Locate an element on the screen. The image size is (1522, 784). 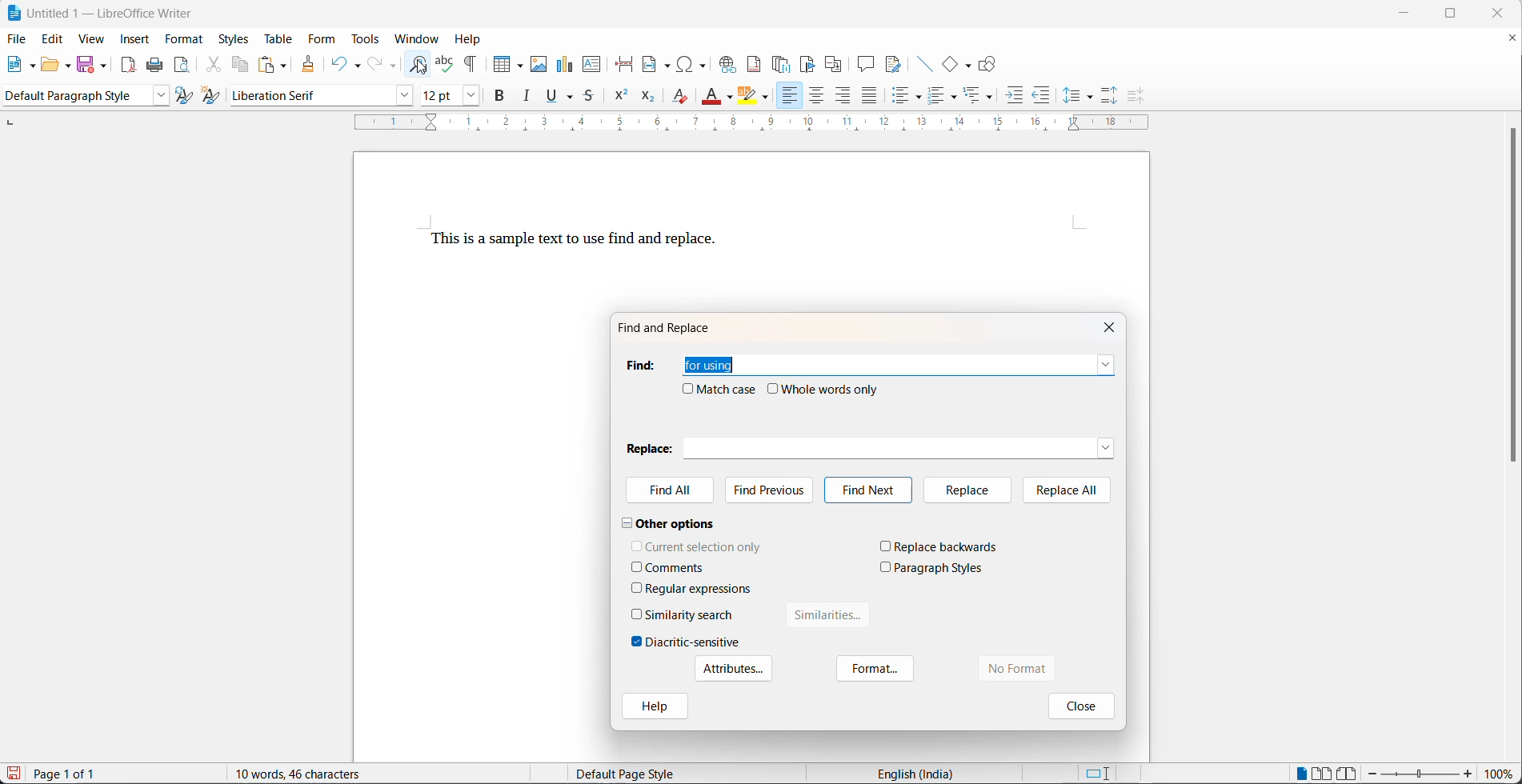
find next is located at coordinates (867, 490).